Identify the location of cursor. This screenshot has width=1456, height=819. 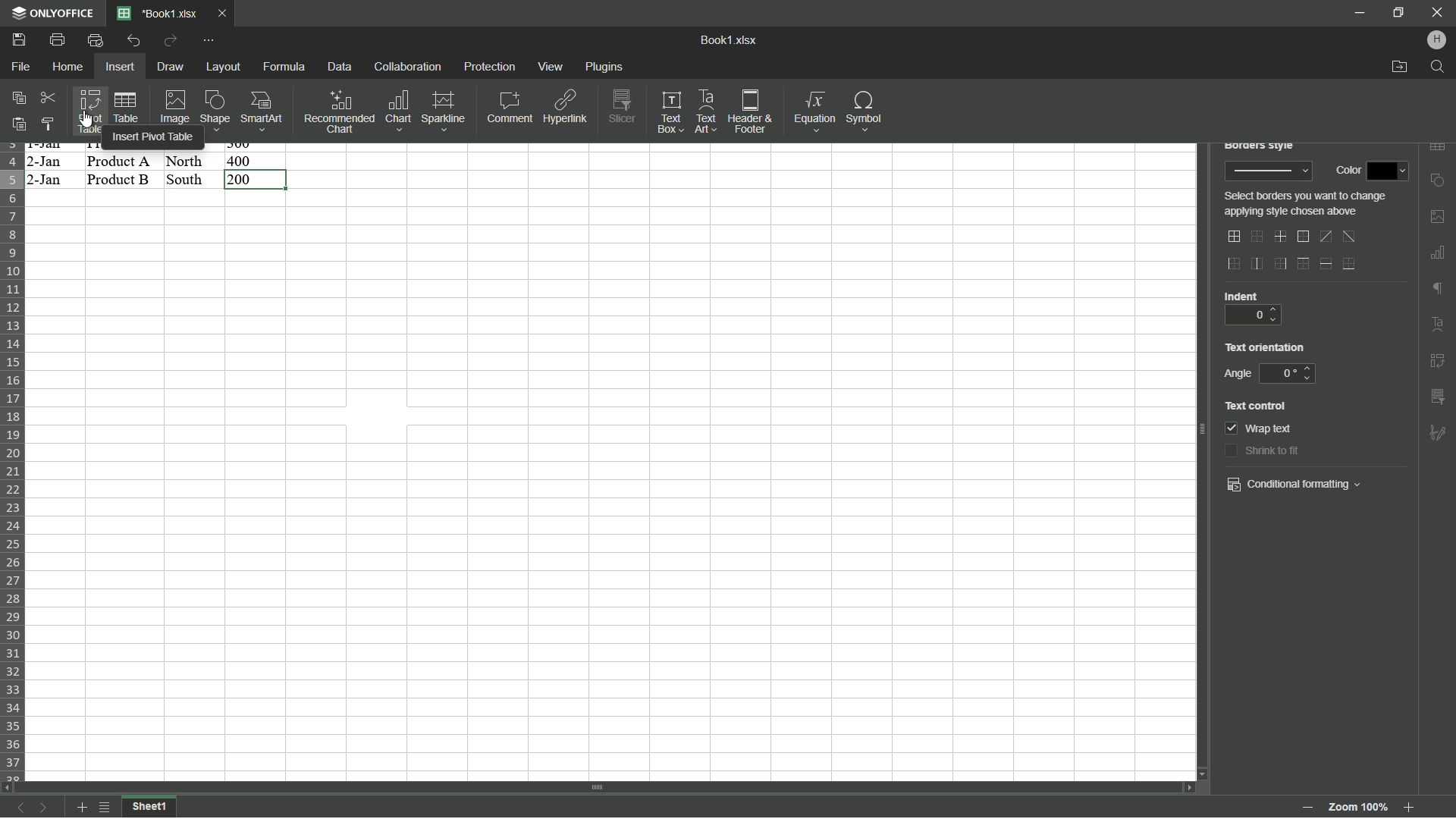
(86, 121).